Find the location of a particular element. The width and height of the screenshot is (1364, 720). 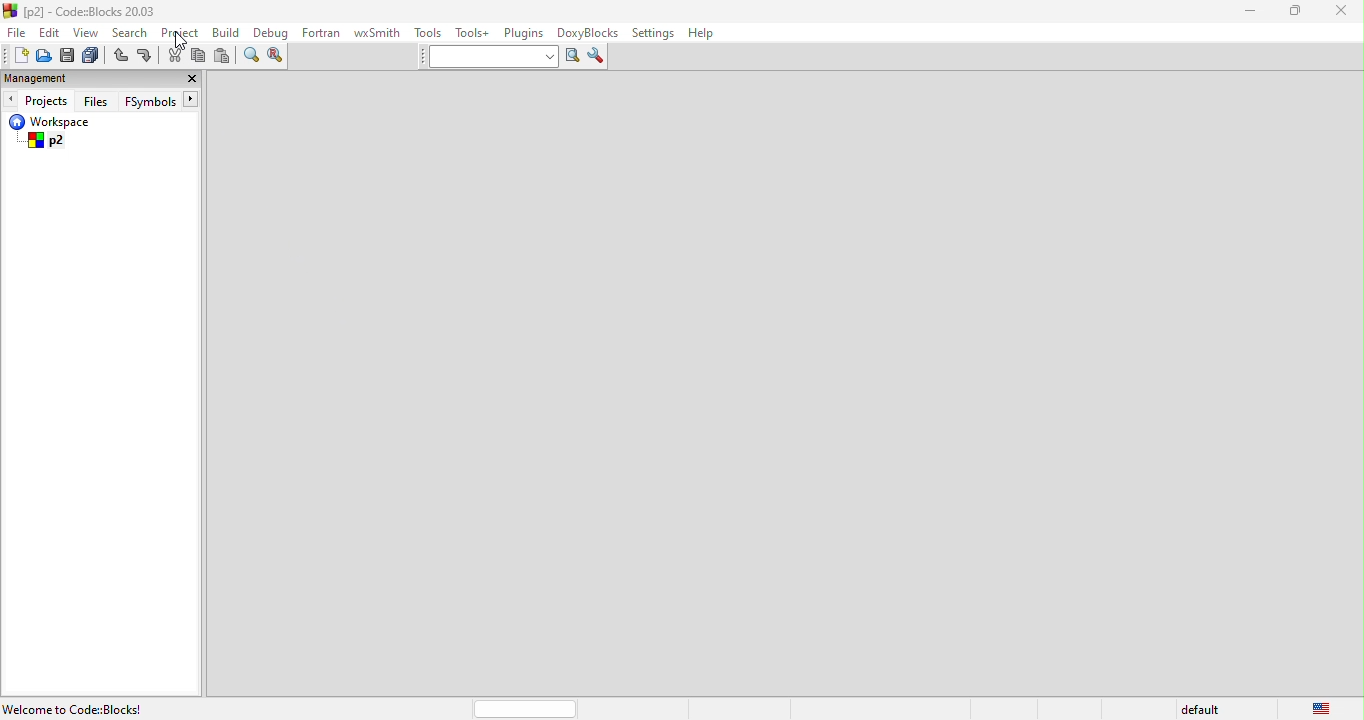

files is located at coordinates (99, 100).